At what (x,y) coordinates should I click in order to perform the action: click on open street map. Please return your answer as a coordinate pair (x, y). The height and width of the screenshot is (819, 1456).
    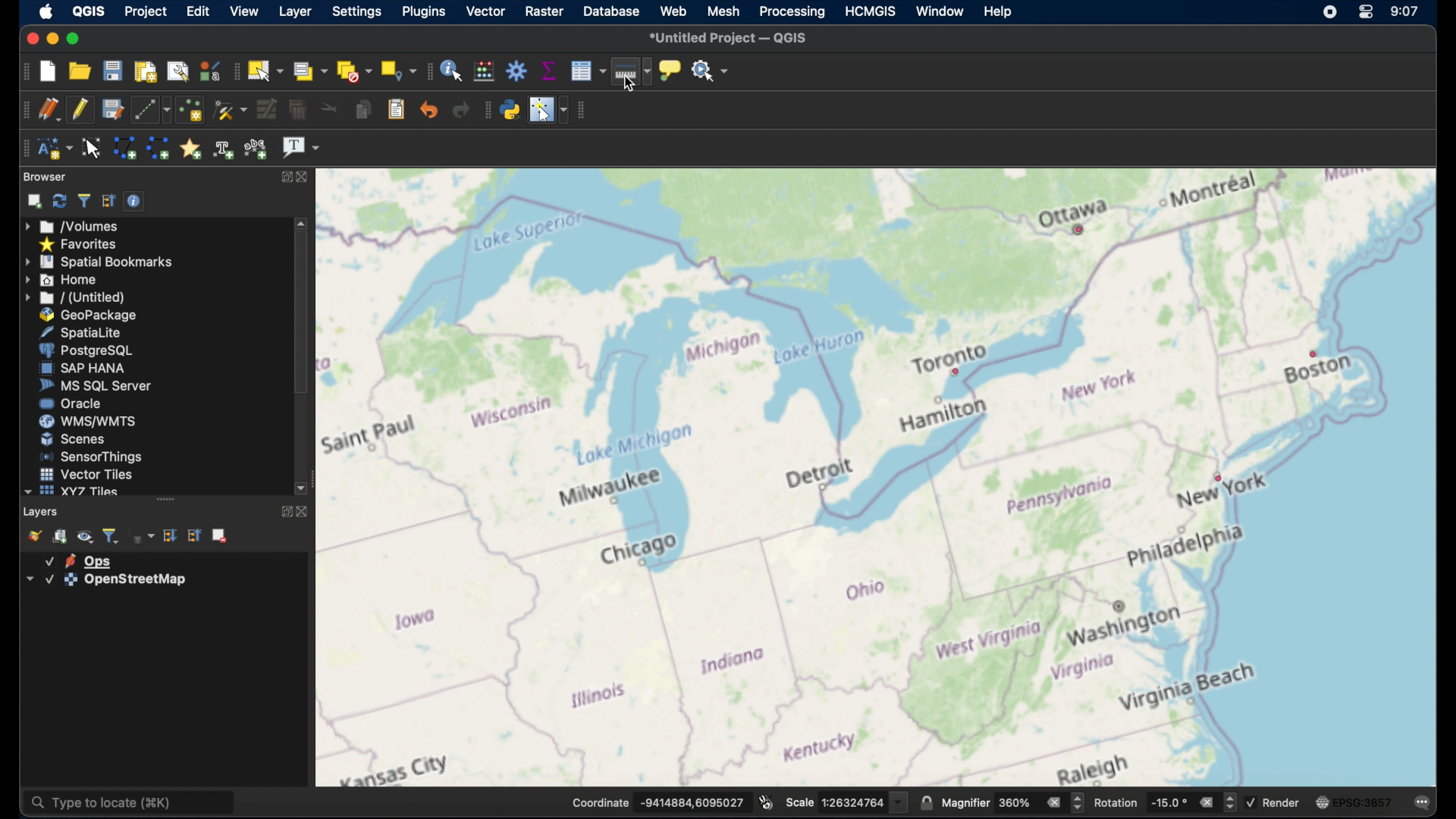
    Looking at the image, I should click on (1269, 232).